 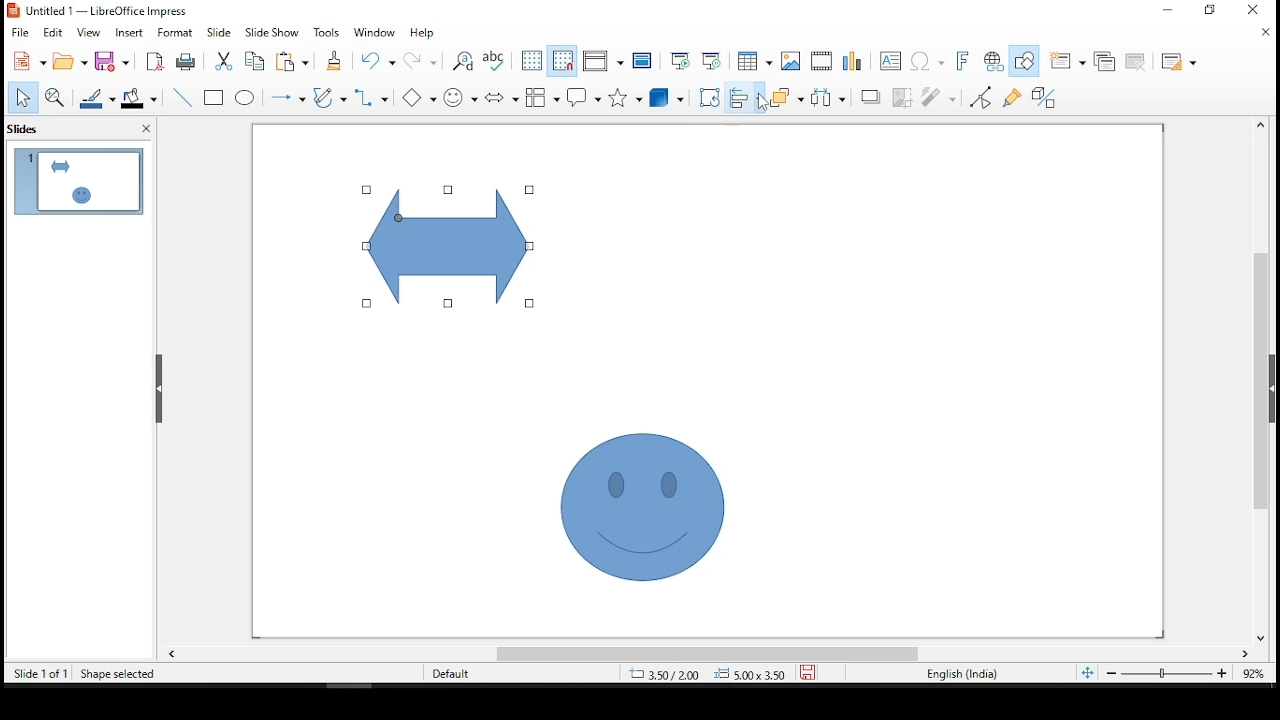 I want to click on symbol shapes, so click(x=463, y=96).